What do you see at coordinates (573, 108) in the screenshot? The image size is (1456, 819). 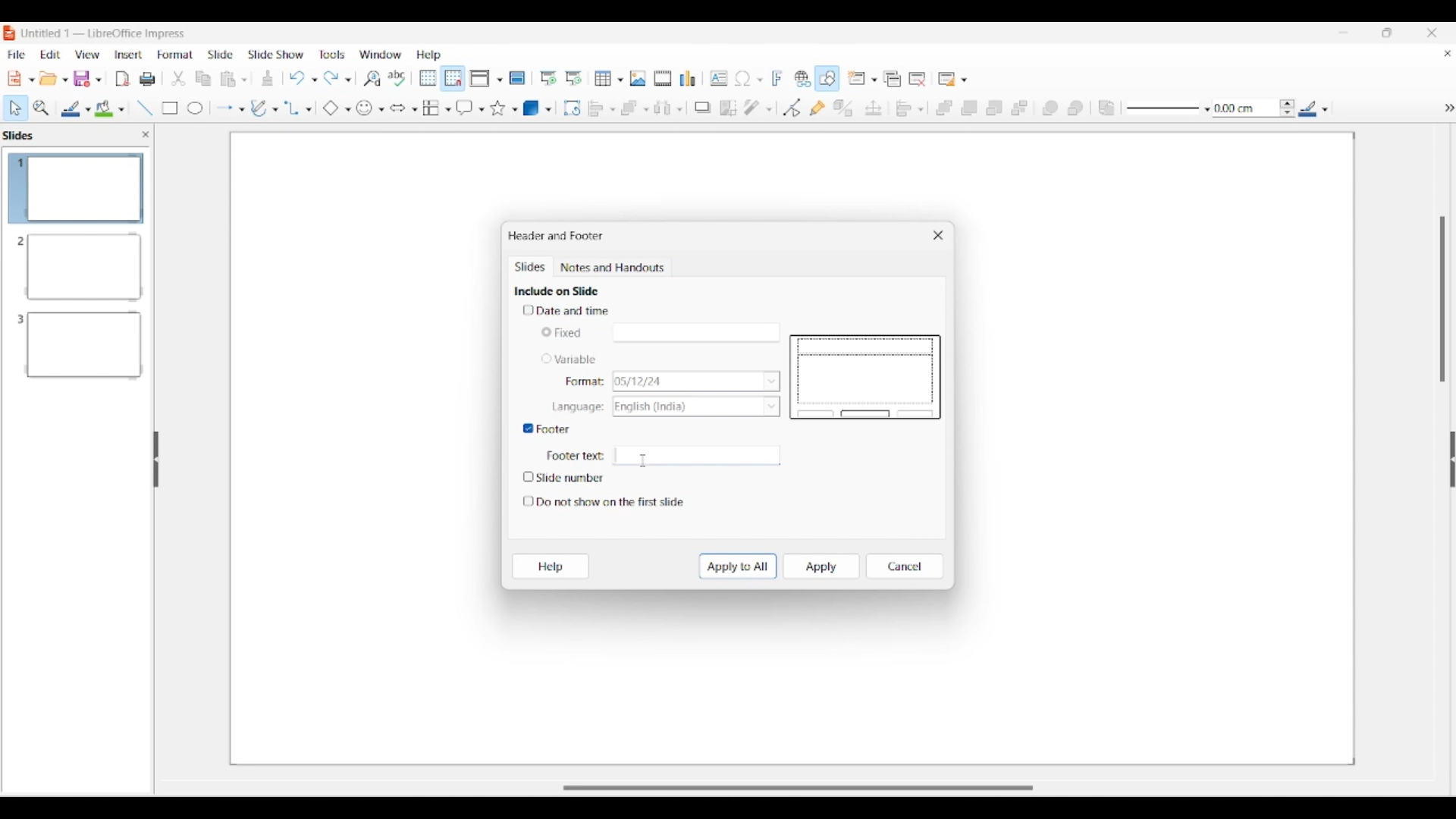 I see `Rotate` at bounding box center [573, 108].